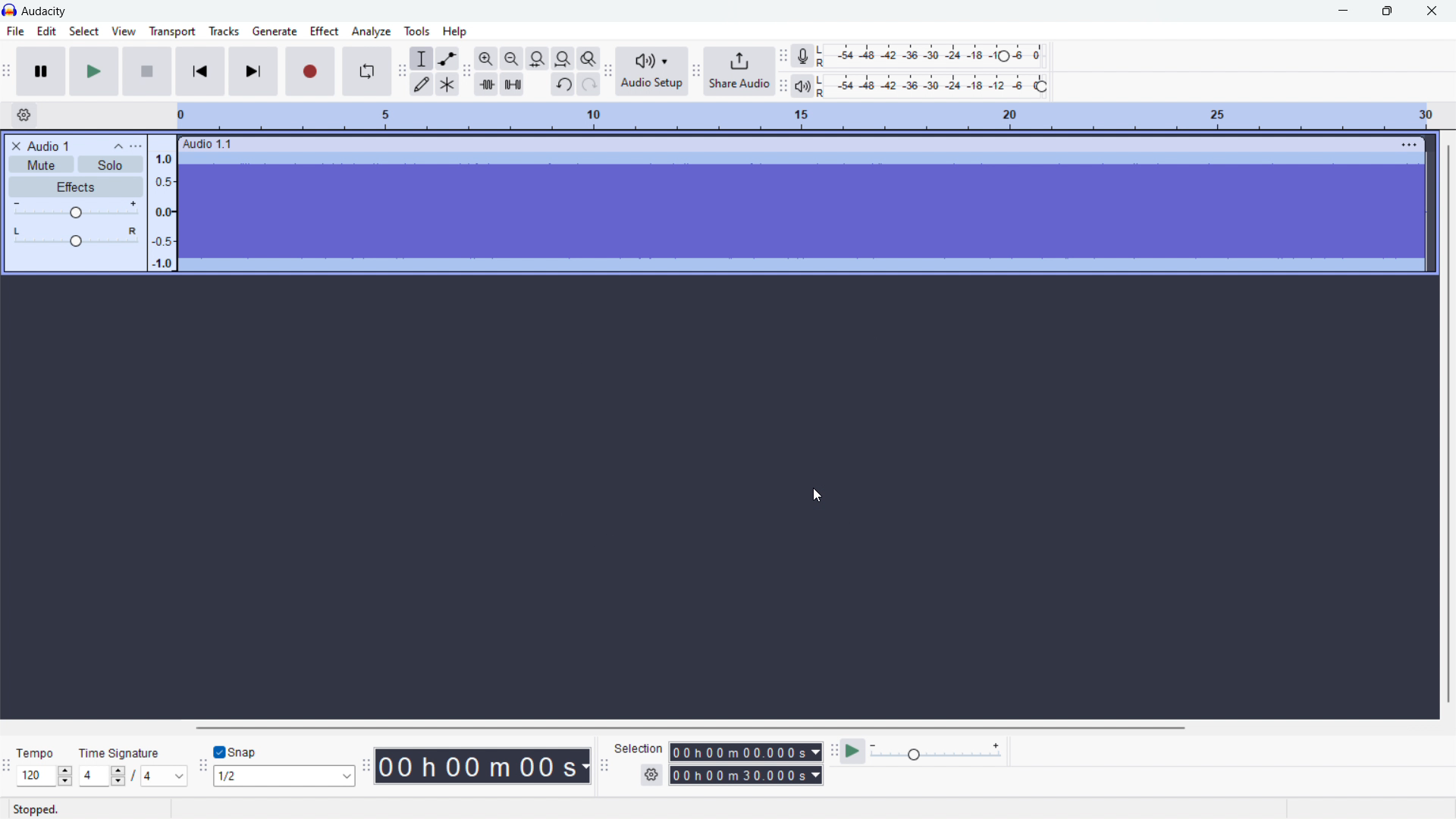  What do you see at coordinates (17, 146) in the screenshot?
I see `delete track` at bounding box center [17, 146].